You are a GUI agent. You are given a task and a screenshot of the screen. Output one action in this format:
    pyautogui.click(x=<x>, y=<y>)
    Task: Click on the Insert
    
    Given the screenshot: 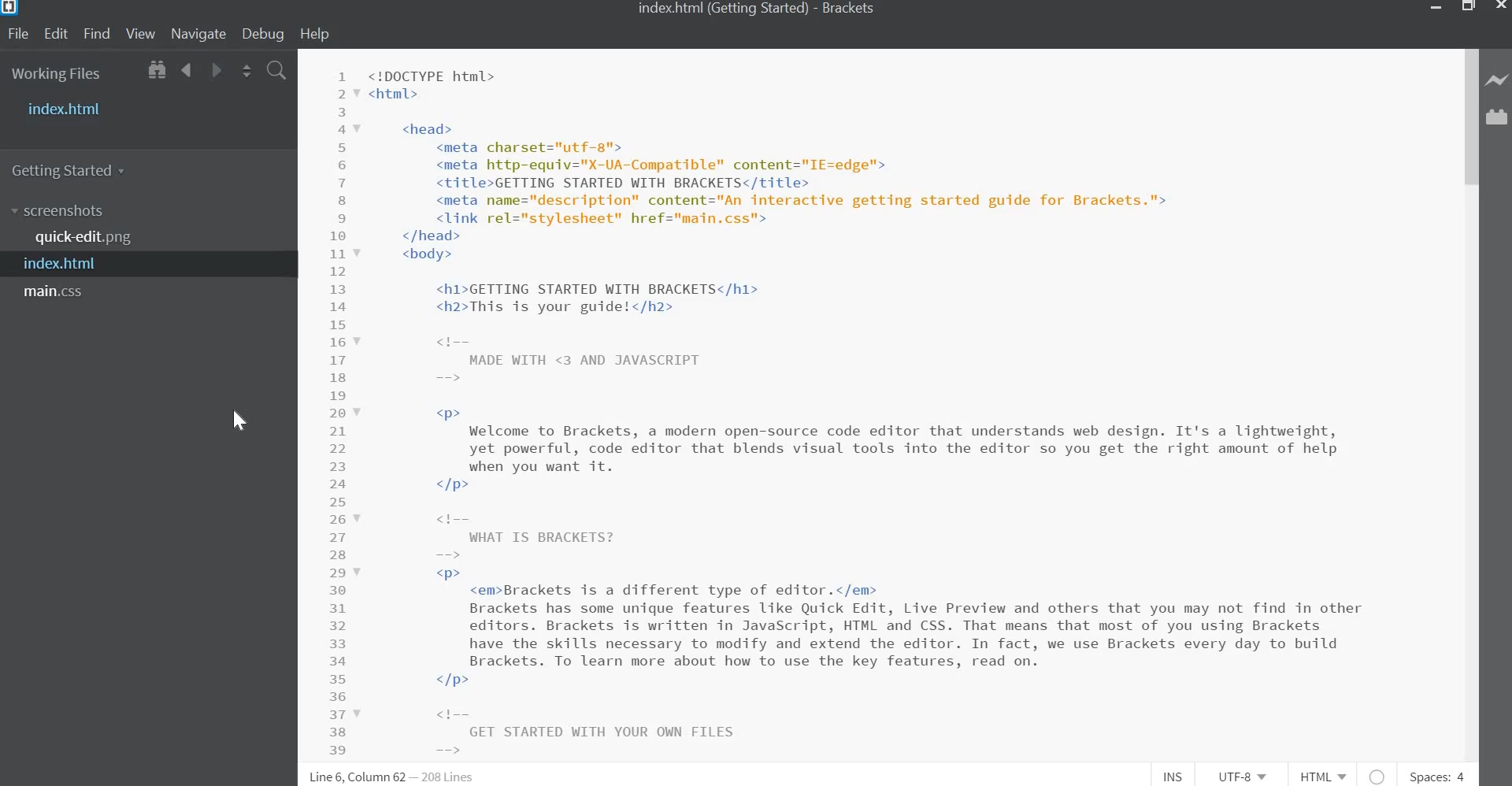 What is the action you would take?
    pyautogui.click(x=1177, y=777)
    